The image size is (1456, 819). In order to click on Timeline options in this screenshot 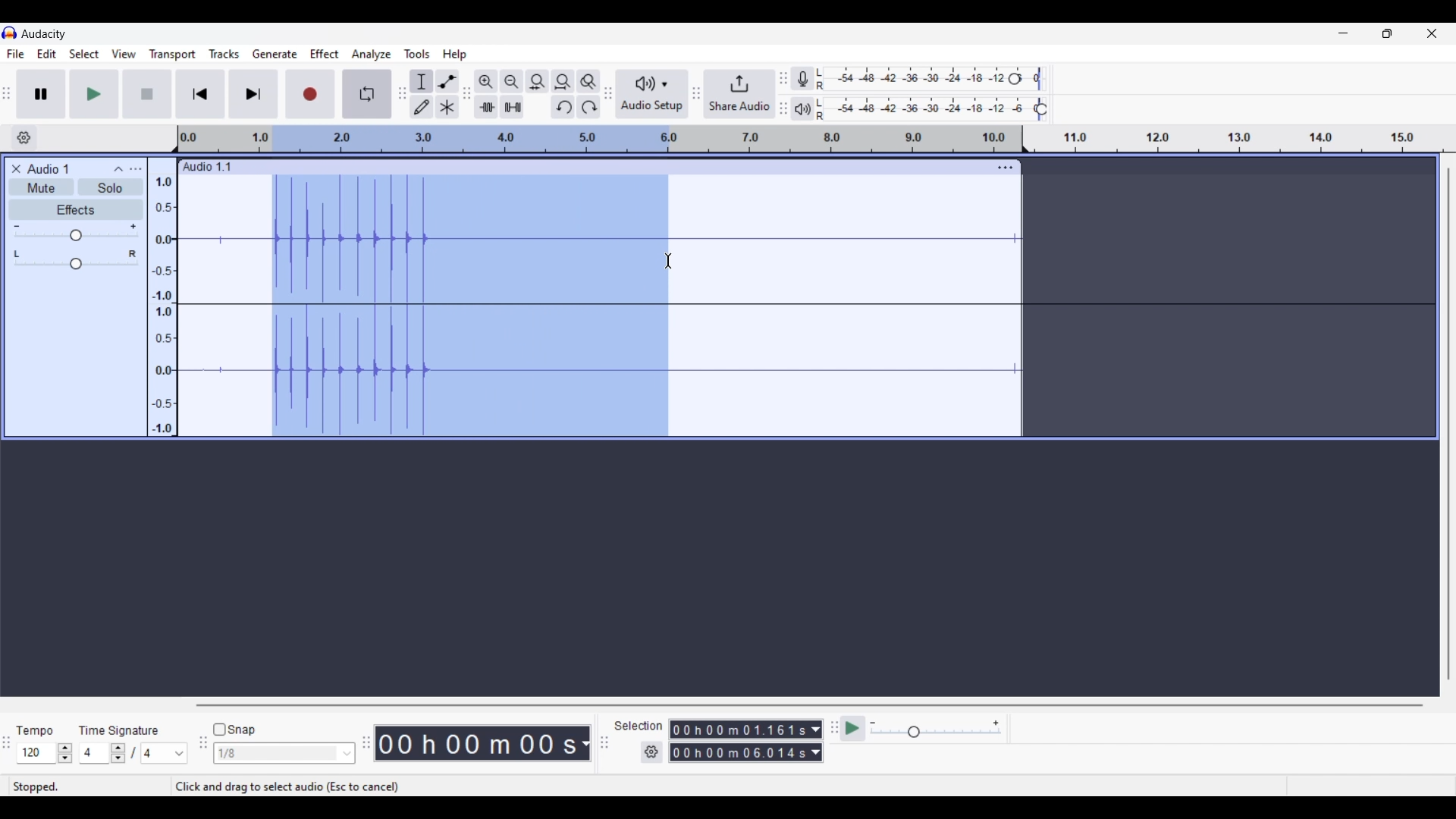, I will do `click(24, 138)`.